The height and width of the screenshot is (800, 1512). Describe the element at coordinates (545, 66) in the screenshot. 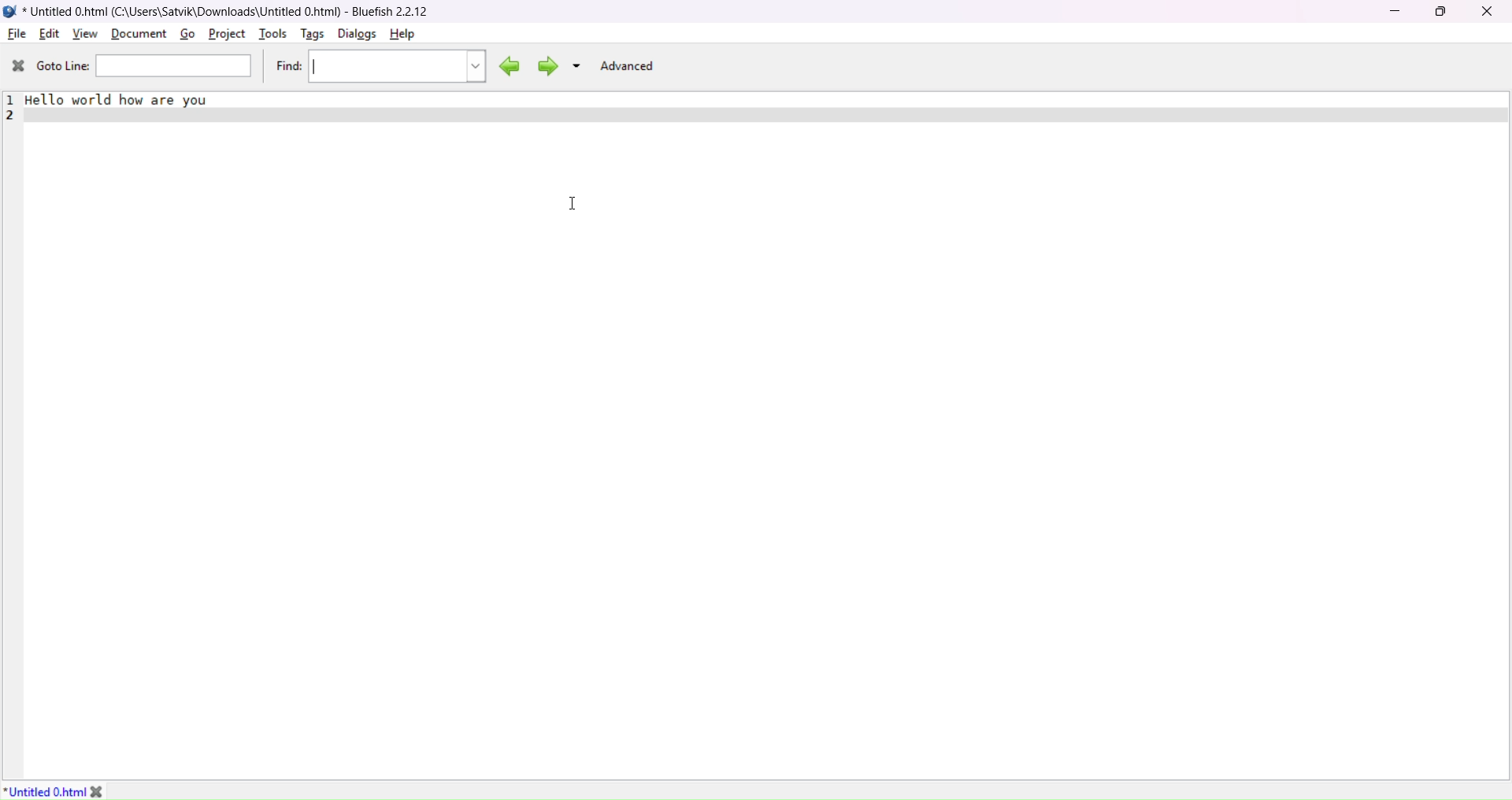

I see `next` at that location.